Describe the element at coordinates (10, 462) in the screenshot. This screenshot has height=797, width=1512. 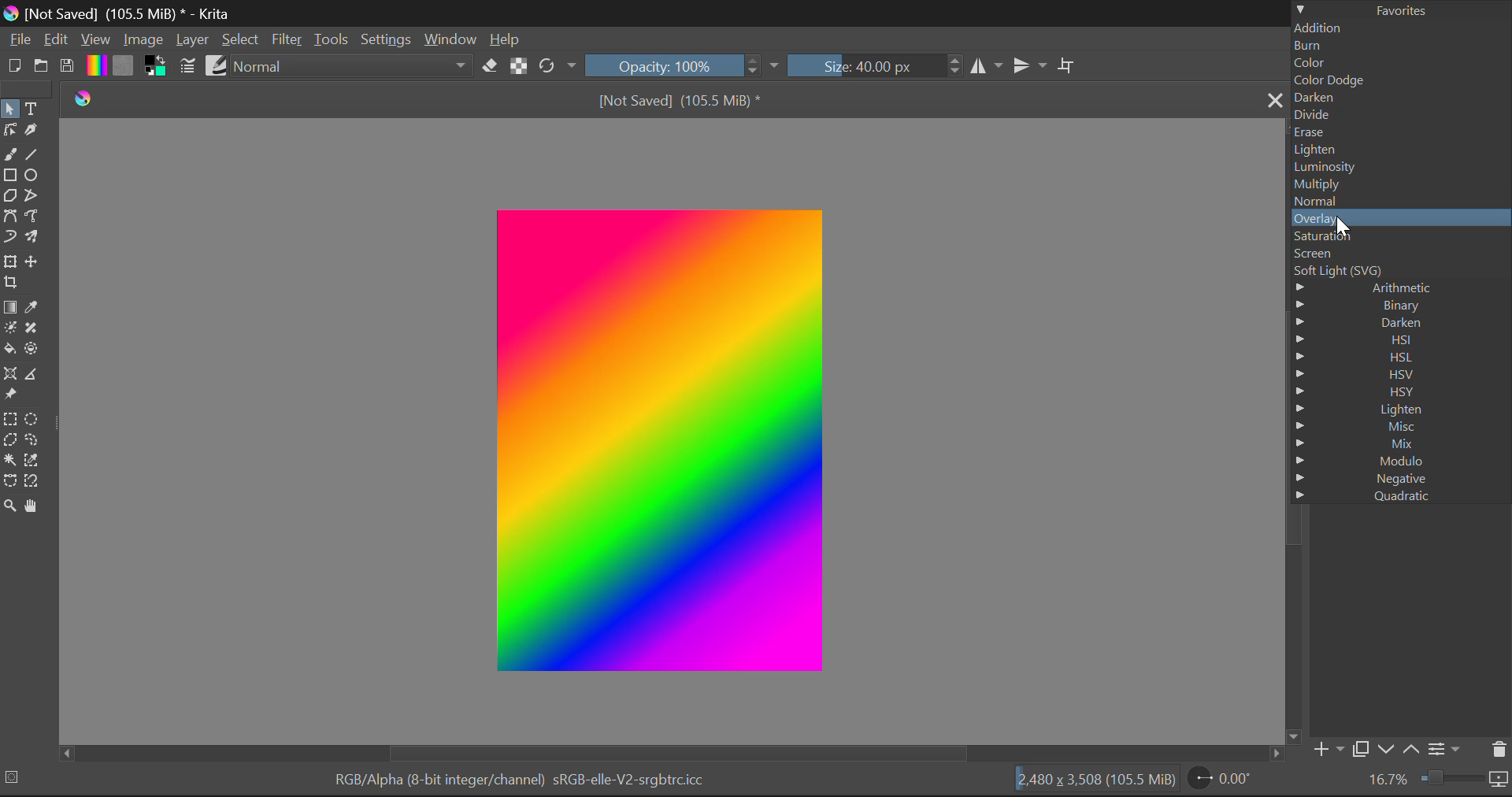
I see `Continuous Selection` at that location.